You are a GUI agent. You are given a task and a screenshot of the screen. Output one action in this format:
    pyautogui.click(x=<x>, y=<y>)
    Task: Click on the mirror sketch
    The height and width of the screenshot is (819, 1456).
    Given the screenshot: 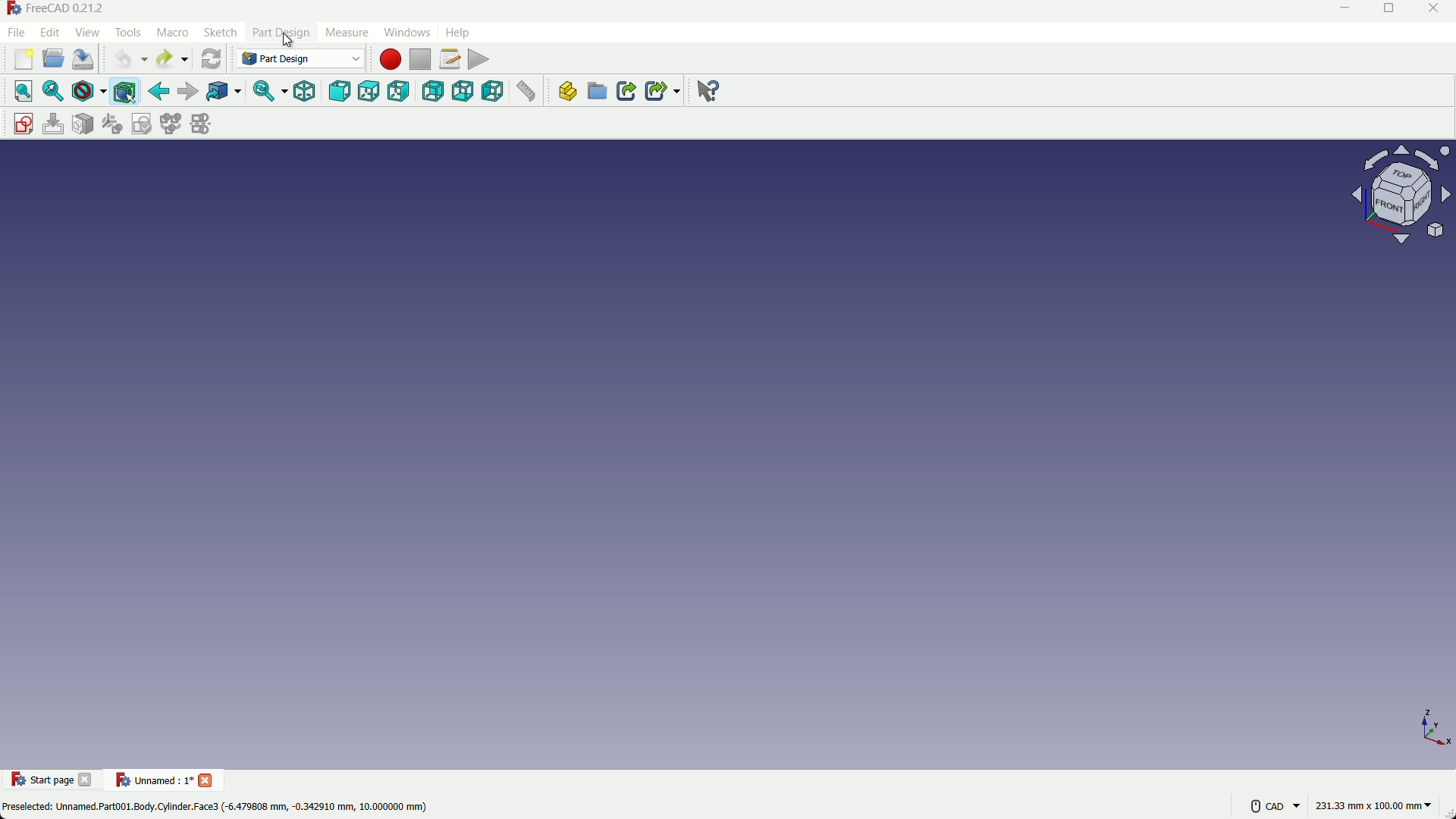 What is the action you would take?
    pyautogui.click(x=202, y=124)
    